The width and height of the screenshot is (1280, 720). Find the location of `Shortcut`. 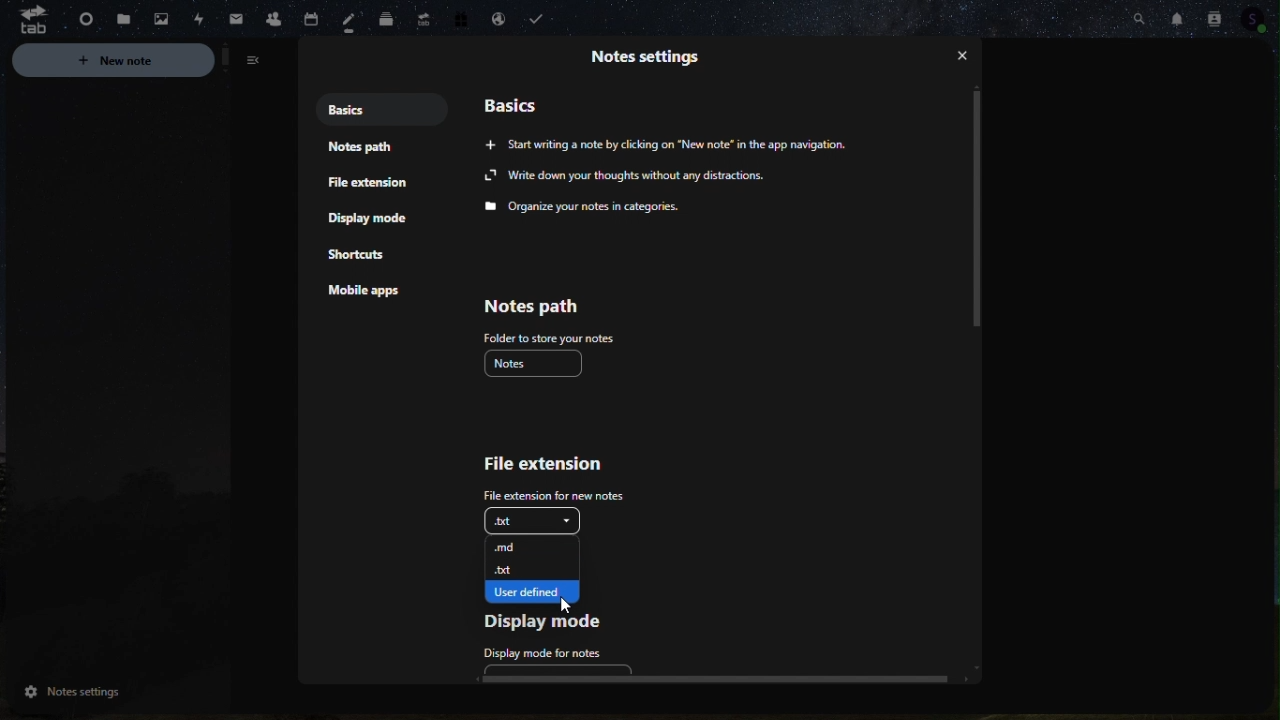

Shortcut is located at coordinates (368, 258).